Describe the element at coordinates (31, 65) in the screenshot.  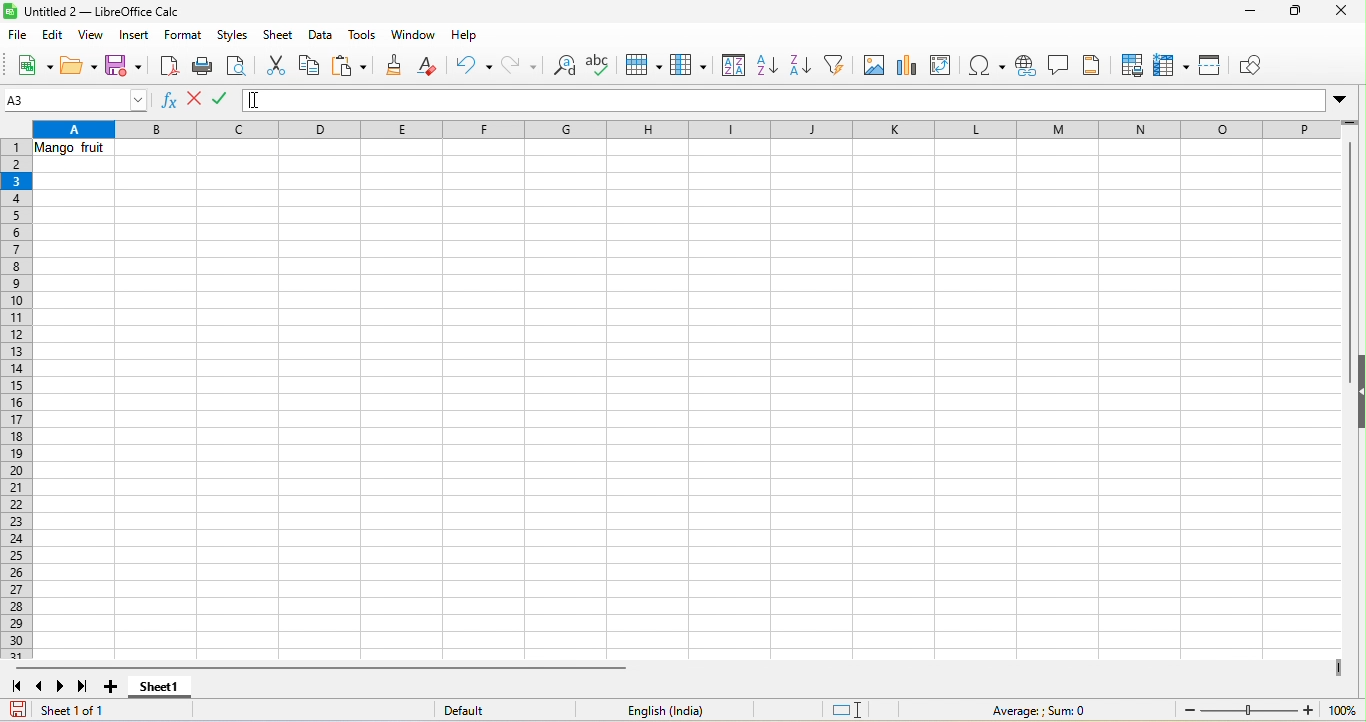
I see `new` at that location.